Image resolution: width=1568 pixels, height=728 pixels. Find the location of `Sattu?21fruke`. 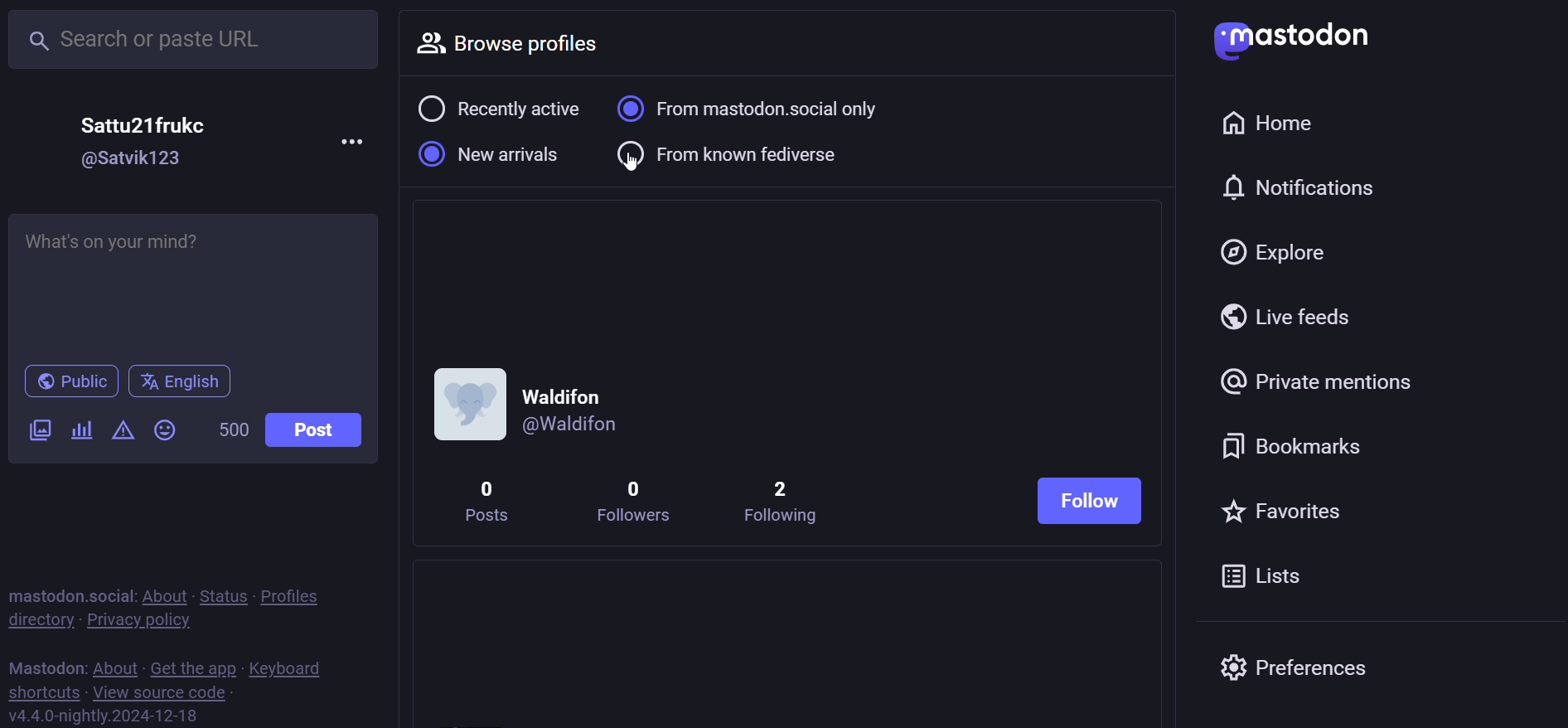

Sattu?21fruke is located at coordinates (150, 120).